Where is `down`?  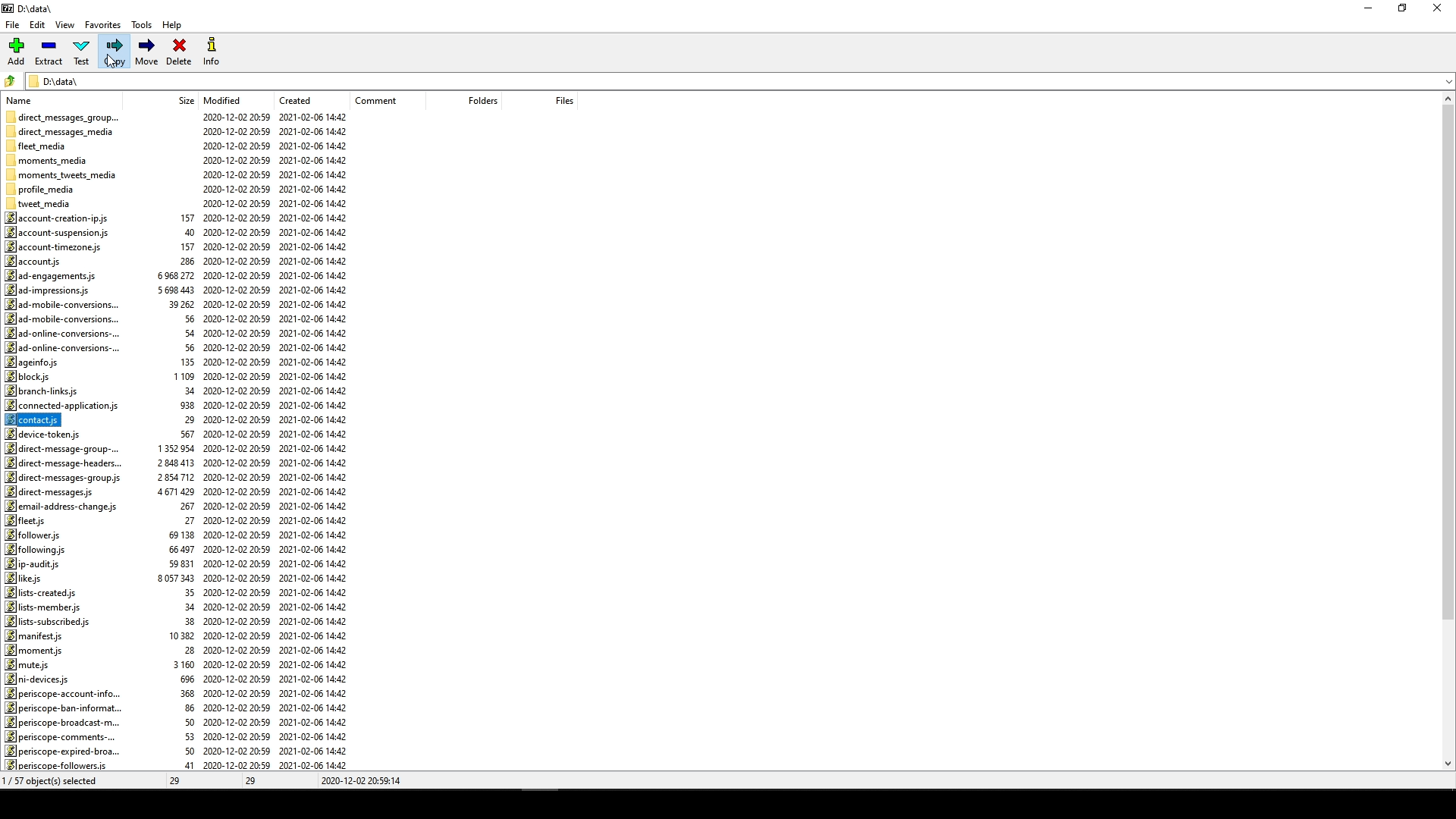
down is located at coordinates (1435, 86).